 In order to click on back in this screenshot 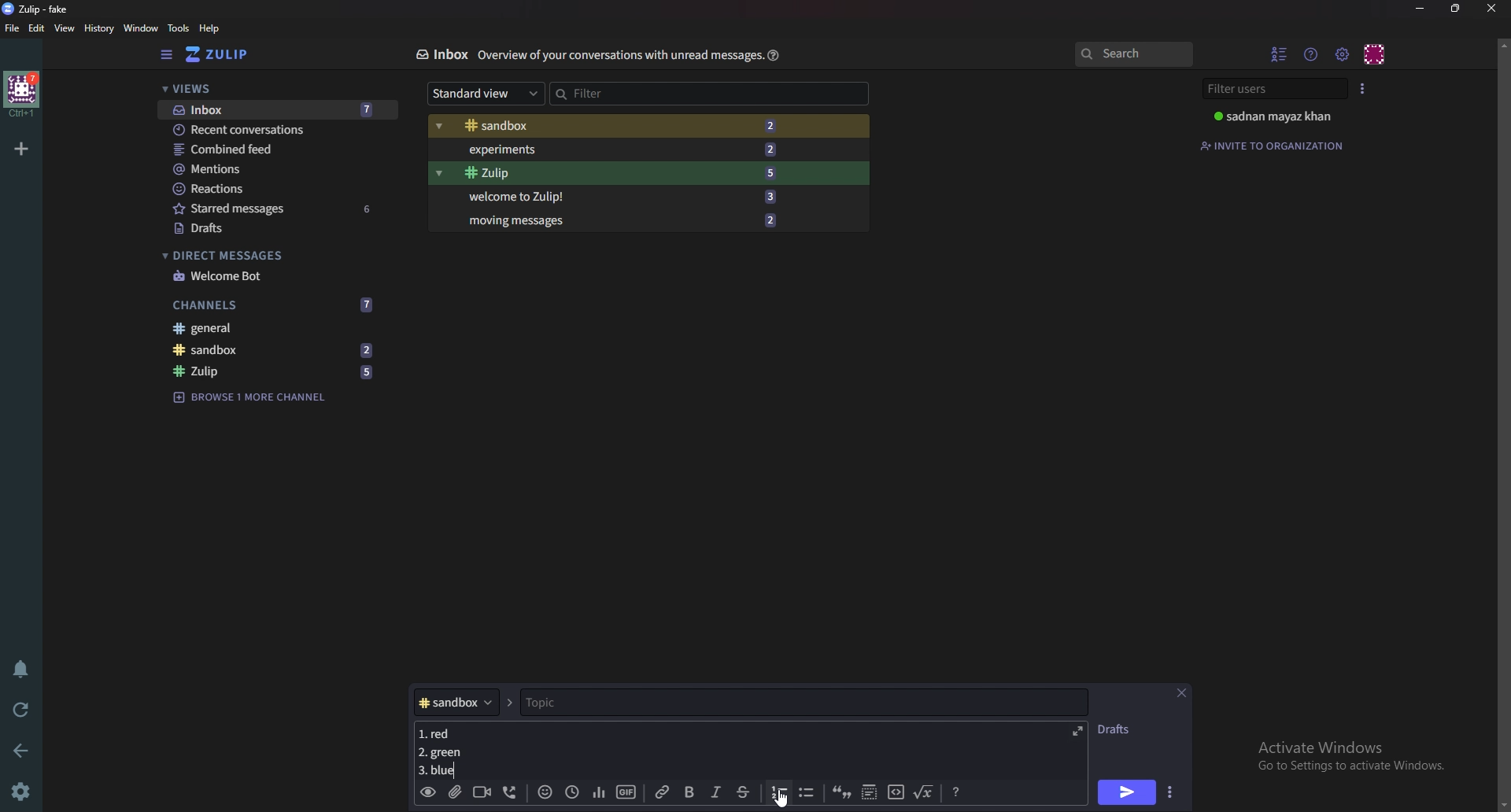, I will do `click(24, 748)`.